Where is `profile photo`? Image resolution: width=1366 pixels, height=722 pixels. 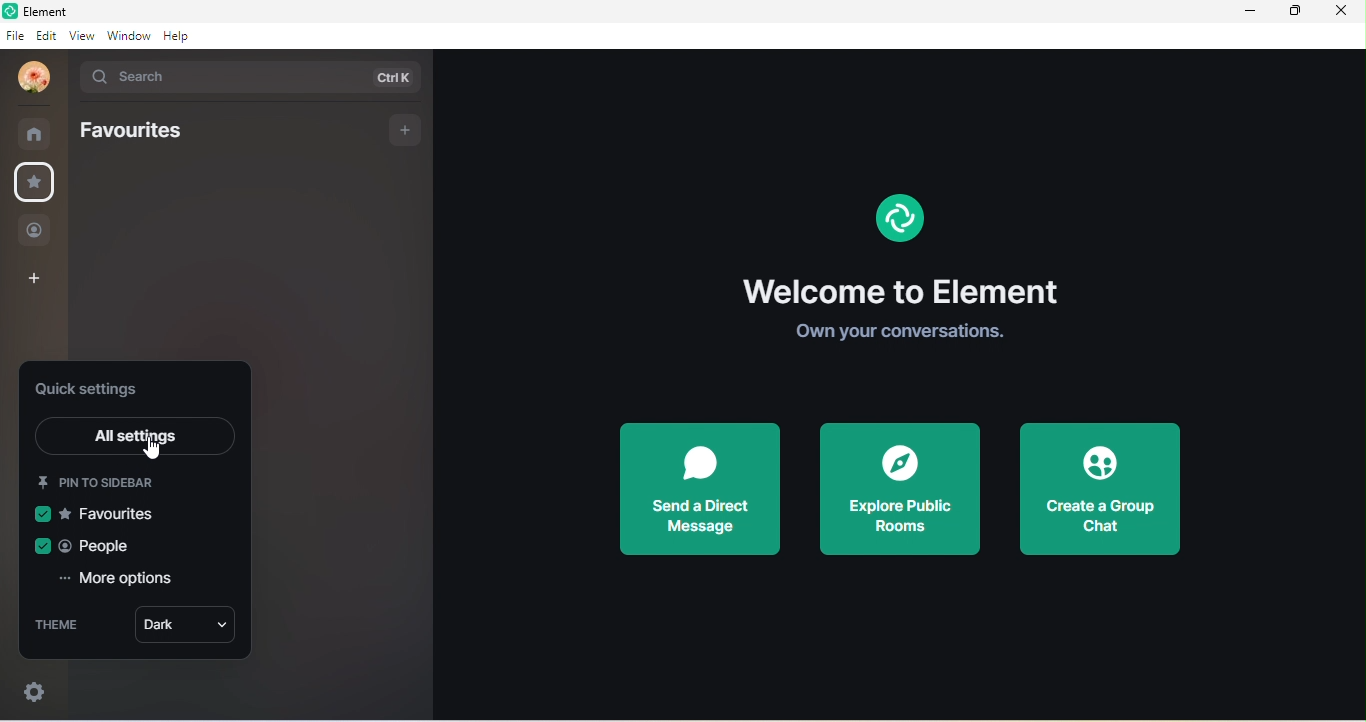 profile photo is located at coordinates (30, 78).